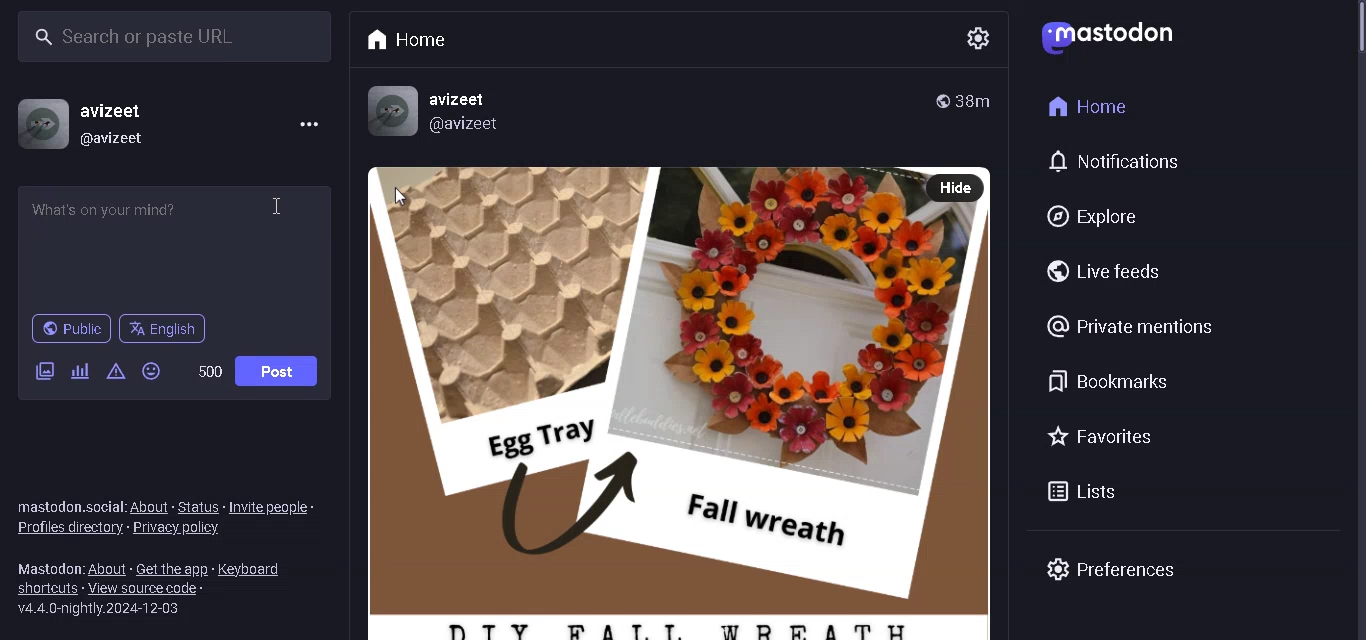  What do you see at coordinates (277, 505) in the screenshot?
I see `invite people` at bounding box center [277, 505].